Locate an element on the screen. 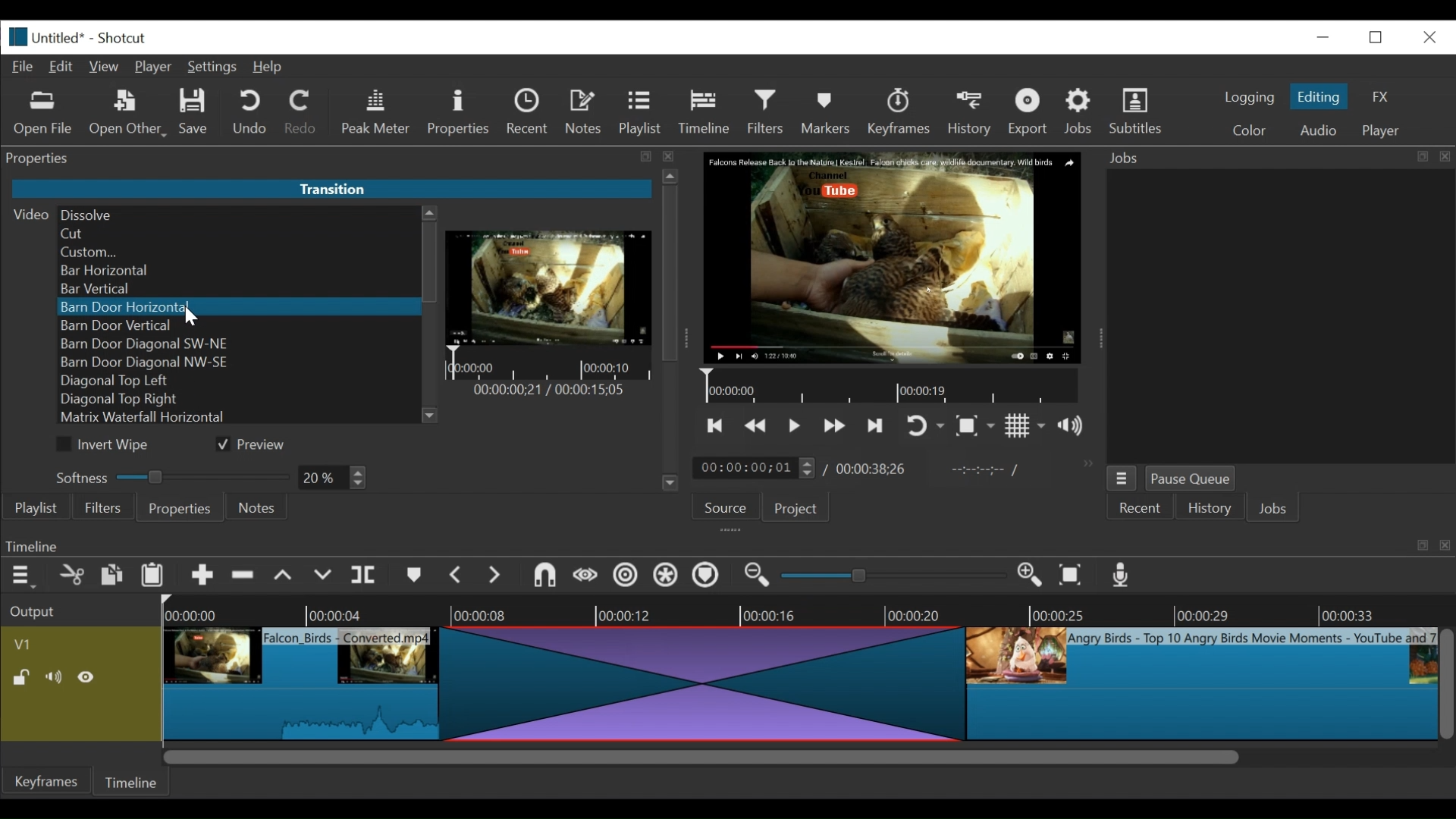  scrub while dragging is located at coordinates (586, 576).